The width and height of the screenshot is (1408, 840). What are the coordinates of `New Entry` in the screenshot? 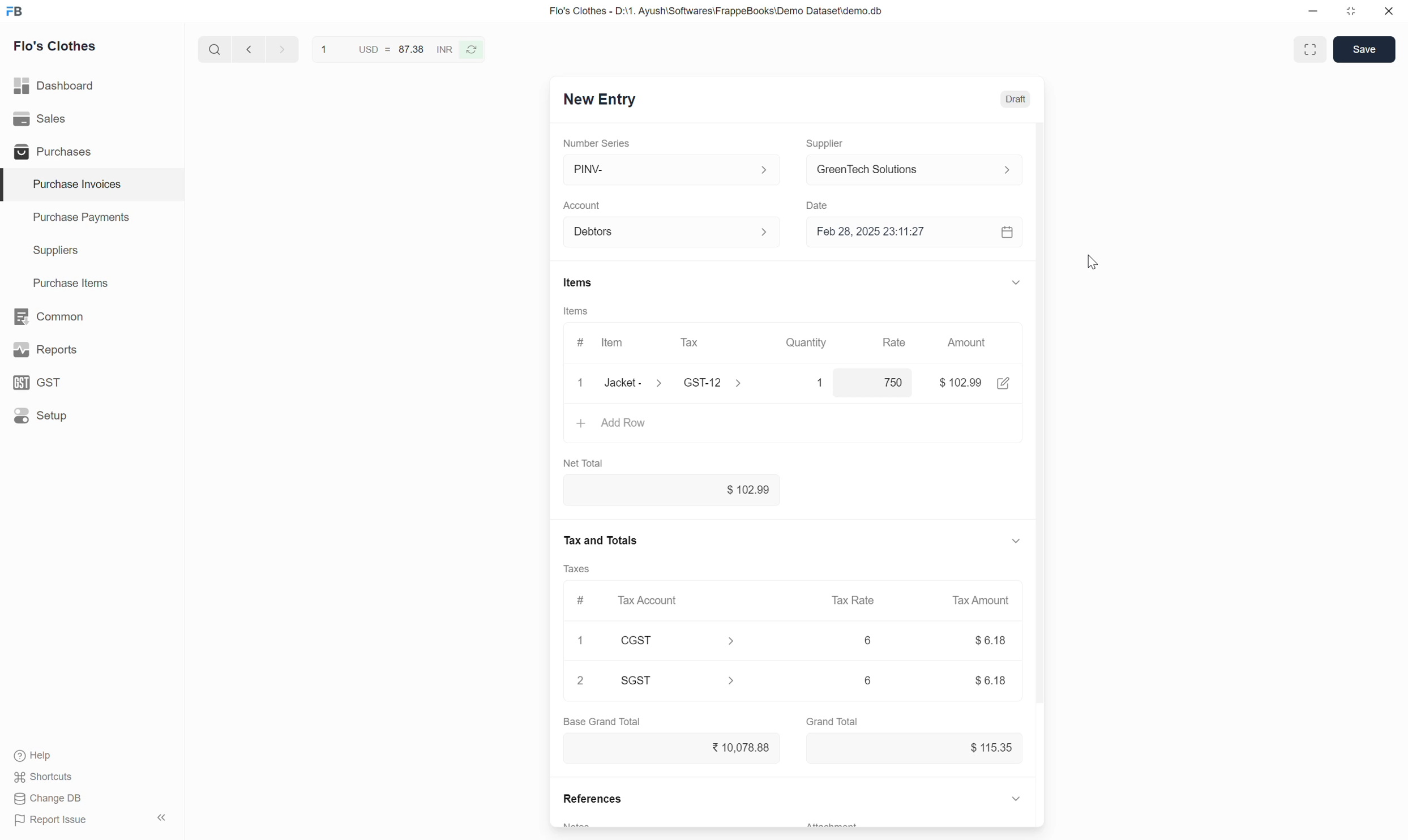 It's located at (600, 100).